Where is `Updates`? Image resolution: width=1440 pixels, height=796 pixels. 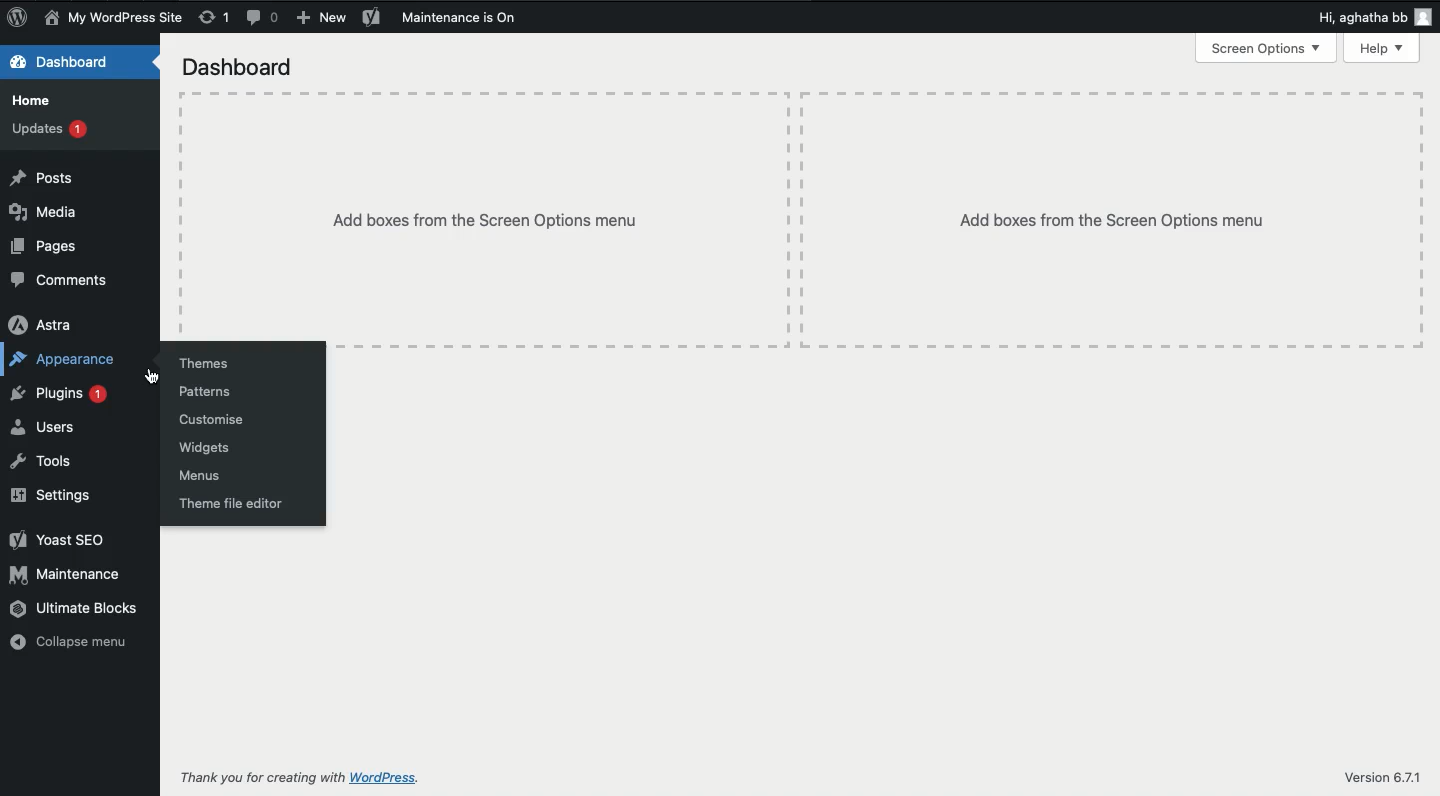 Updates is located at coordinates (44, 128).